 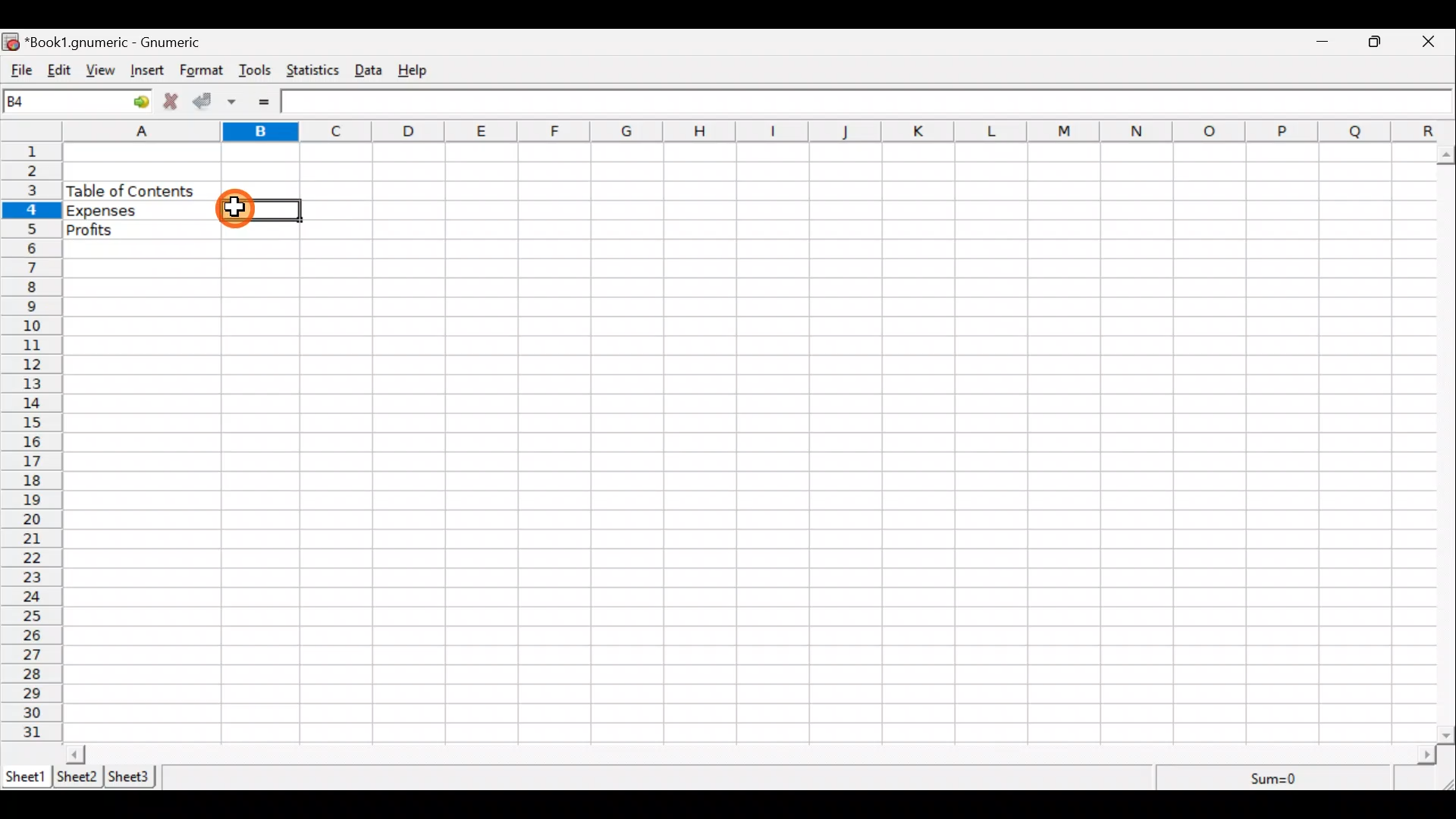 What do you see at coordinates (206, 102) in the screenshot?
I see `Accept change` at bounding box center [206, 102].